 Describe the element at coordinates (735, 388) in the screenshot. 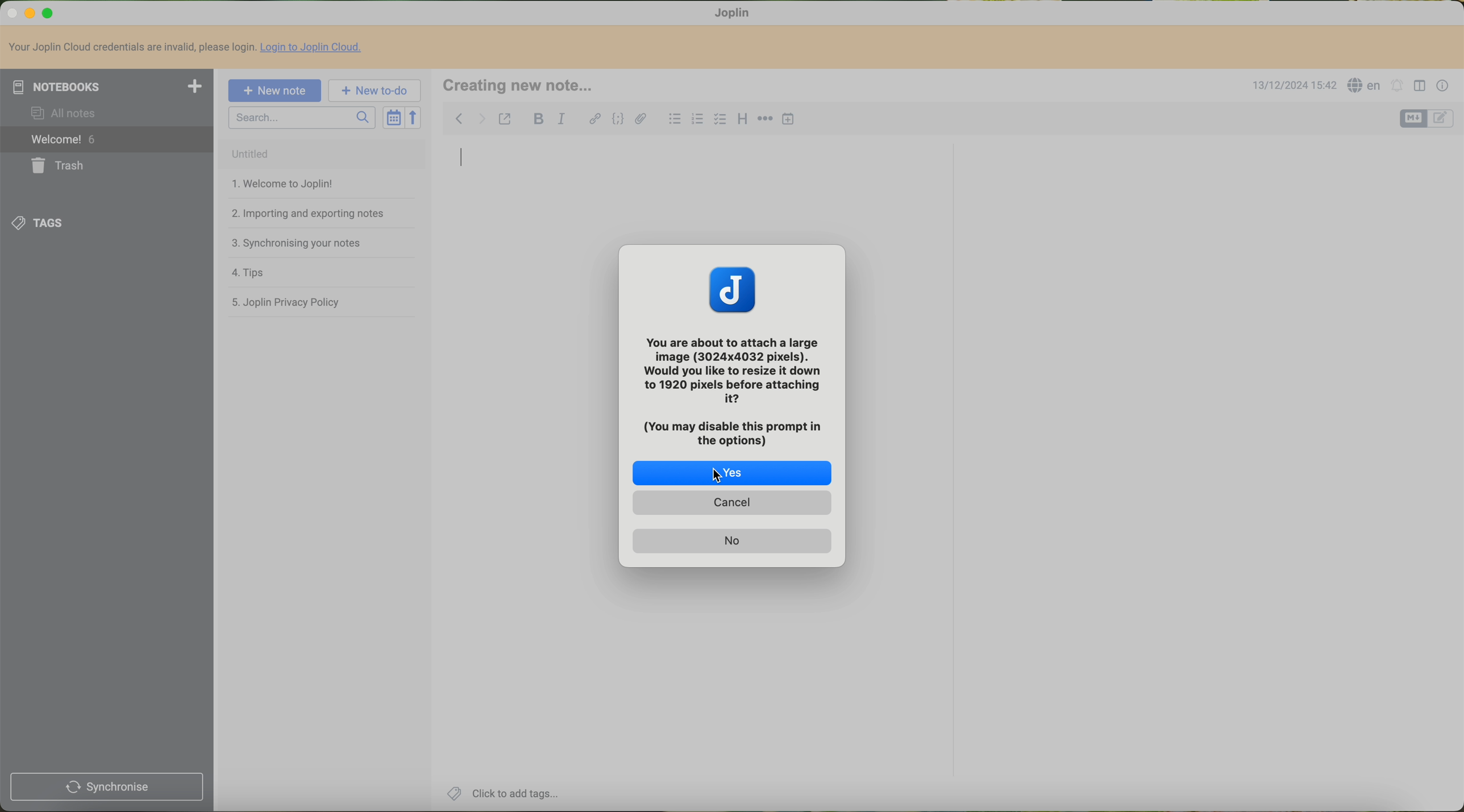

I see `you are about to attach a large image. Would you like to resize it down to 1920 pixels vefore attaching it?` at that location.